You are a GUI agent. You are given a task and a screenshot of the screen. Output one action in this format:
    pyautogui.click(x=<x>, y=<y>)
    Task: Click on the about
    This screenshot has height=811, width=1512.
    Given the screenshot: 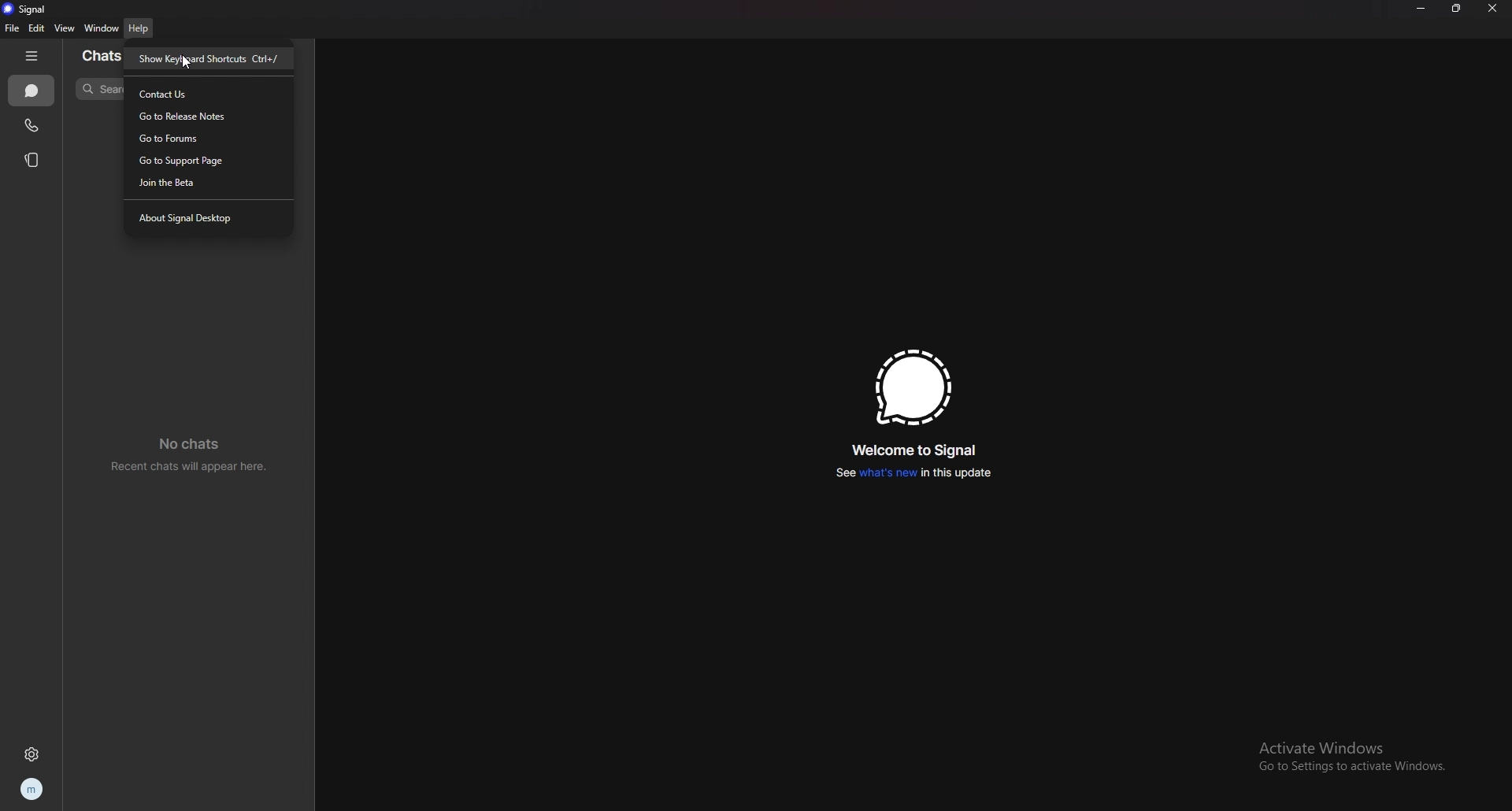 What is the action you would take?
    pyautogui.click(x=206, y=218)
    